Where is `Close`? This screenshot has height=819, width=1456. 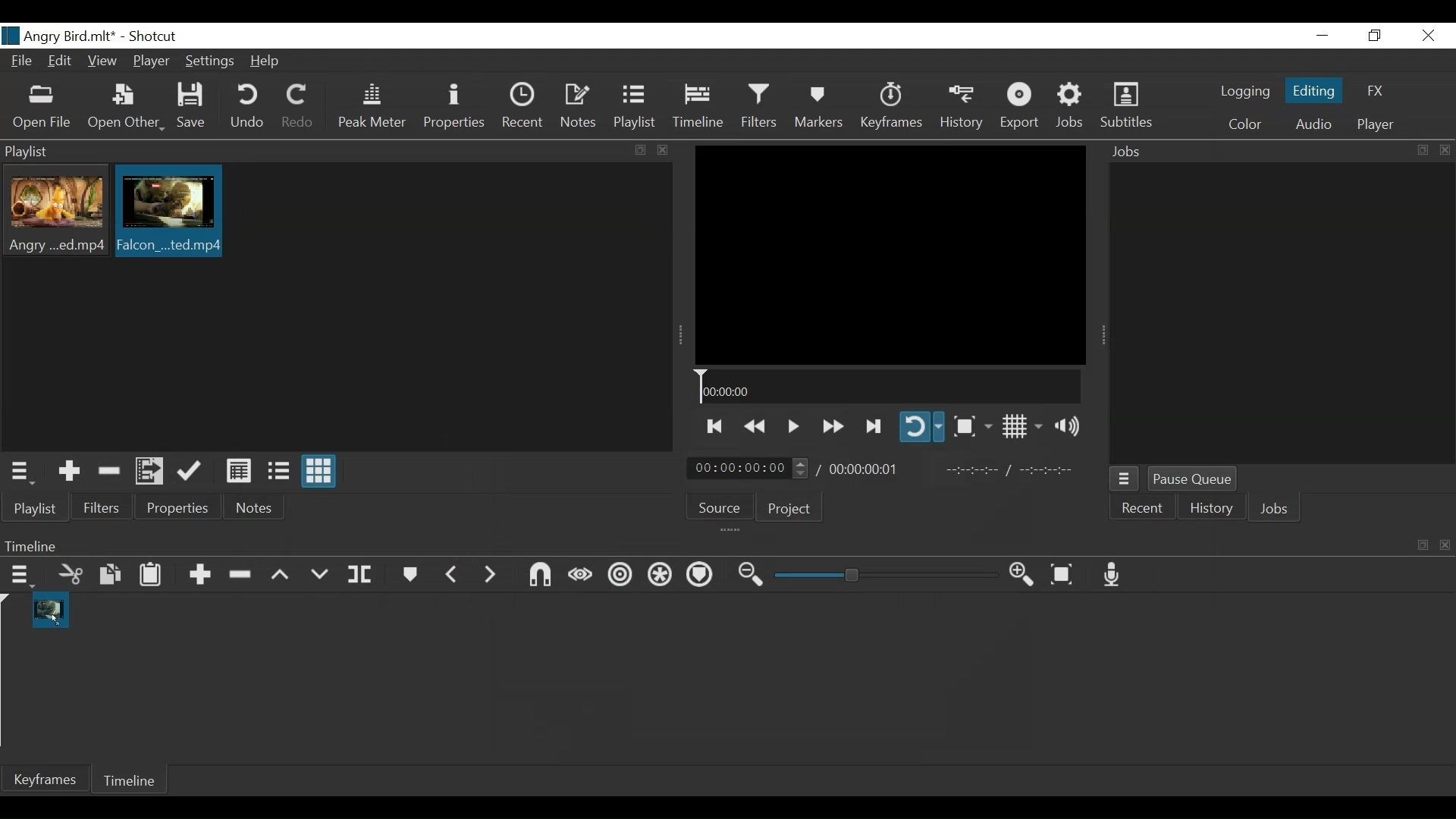 Close is located at coordinates (1426, 36).